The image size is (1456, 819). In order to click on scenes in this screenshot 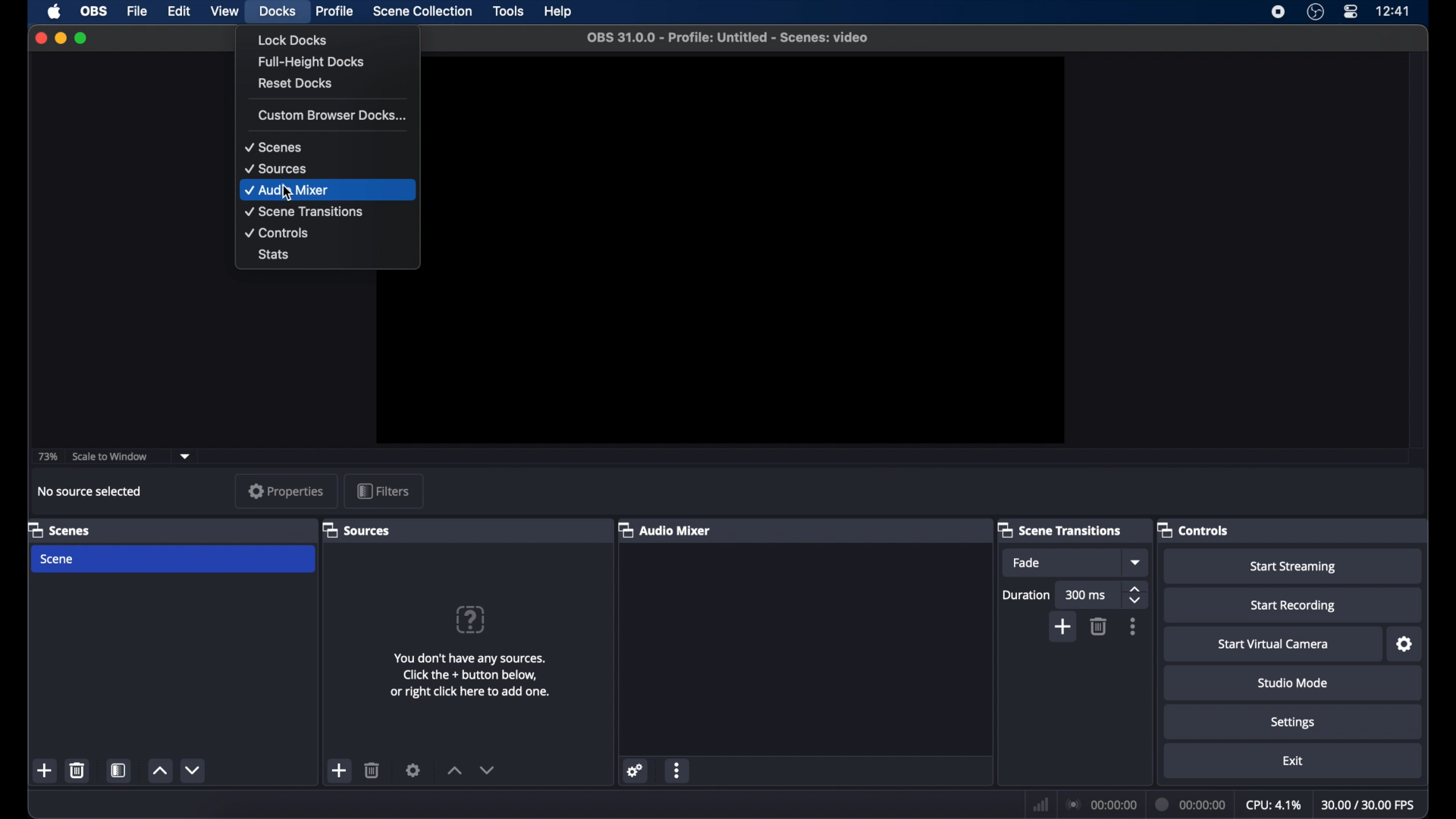, I will do `click(273, 148)`.